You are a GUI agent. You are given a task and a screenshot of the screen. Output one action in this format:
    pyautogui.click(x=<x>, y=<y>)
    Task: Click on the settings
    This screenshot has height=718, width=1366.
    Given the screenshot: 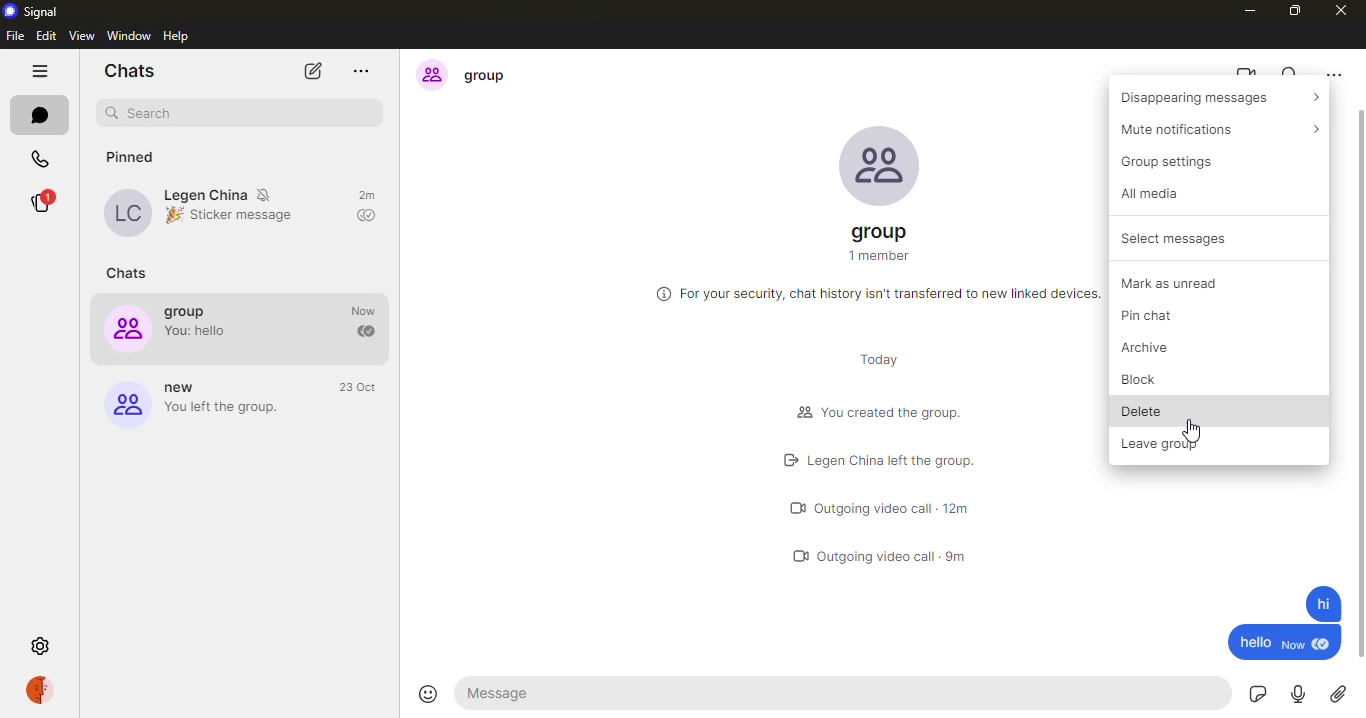 What is the action you would take?
    pyautogui.click(x=38, y=644)
    